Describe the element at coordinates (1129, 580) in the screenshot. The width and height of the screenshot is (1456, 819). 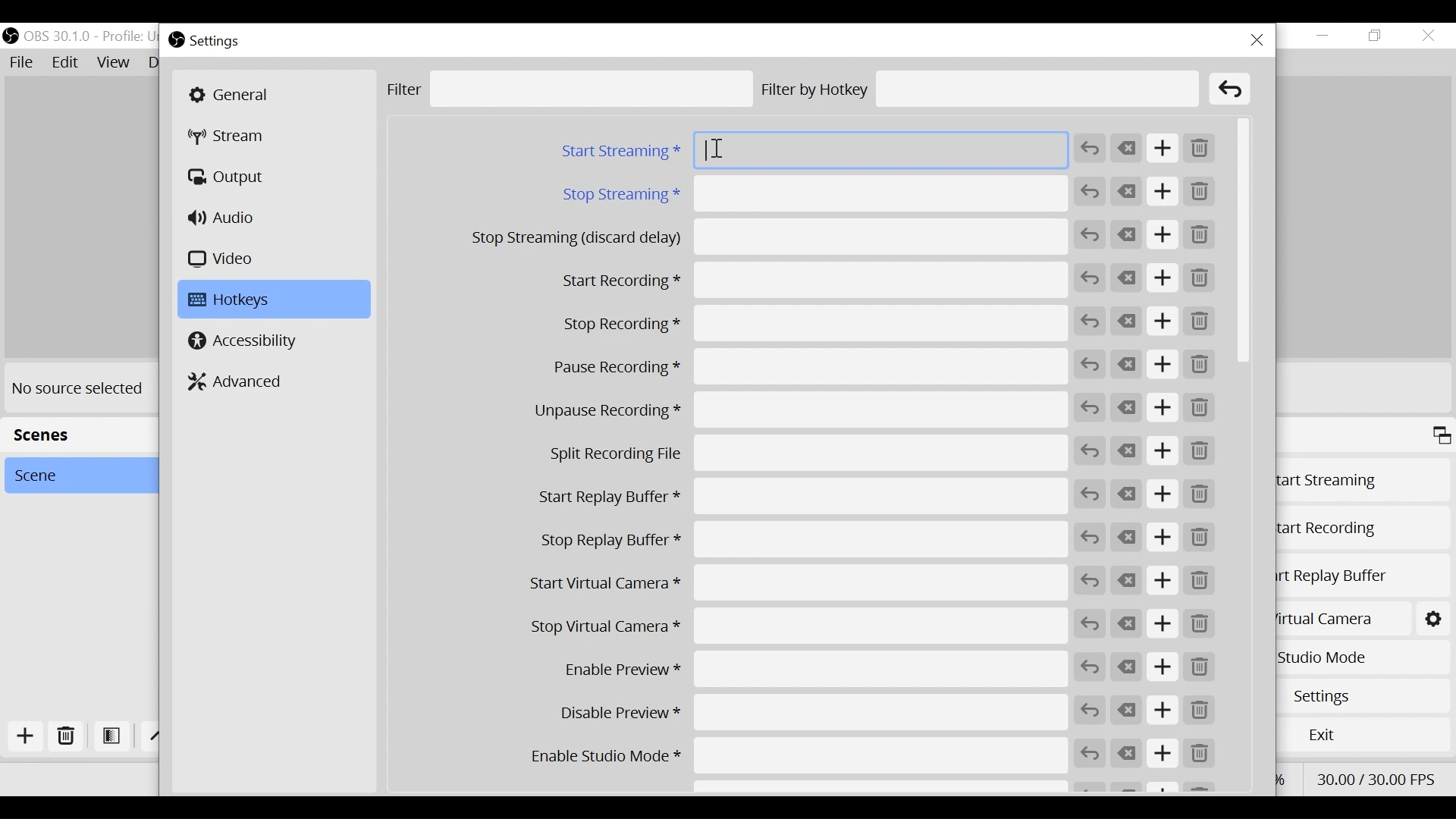
I see `Clear` at that location.